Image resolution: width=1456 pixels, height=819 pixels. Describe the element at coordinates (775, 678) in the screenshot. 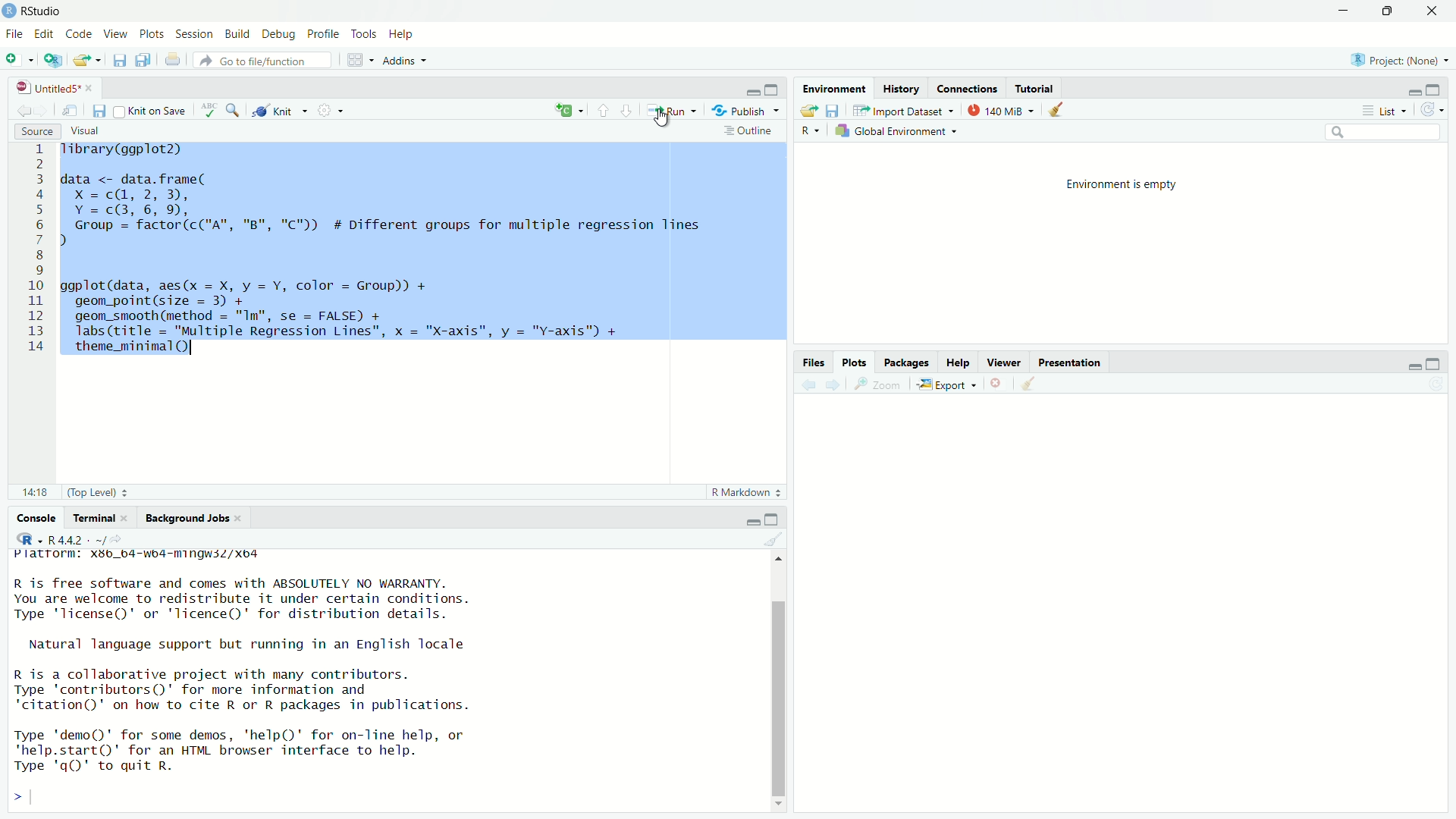

I see `scroll bar` at that location.